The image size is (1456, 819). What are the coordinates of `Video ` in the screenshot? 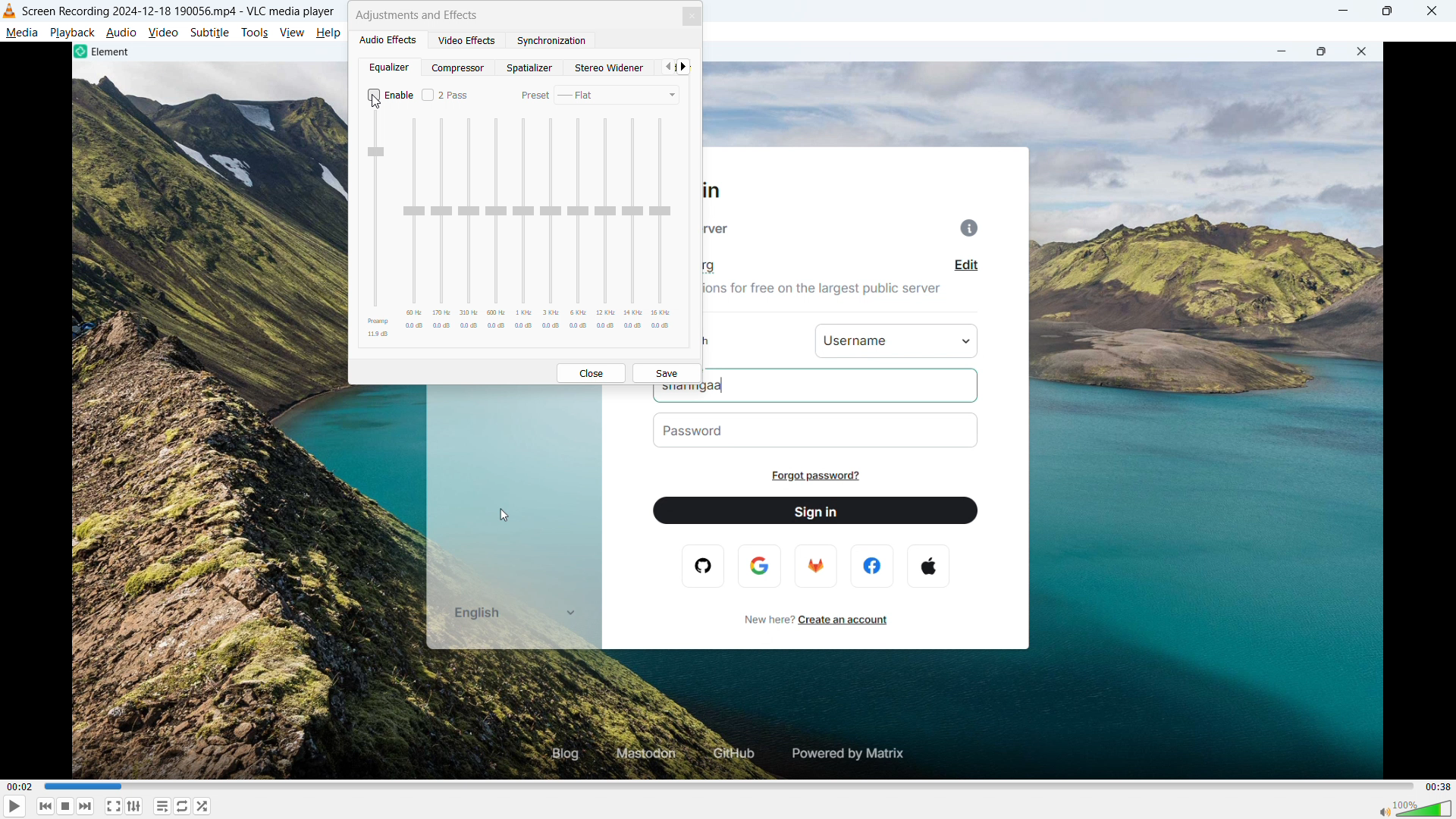 It's located at (163, 32).